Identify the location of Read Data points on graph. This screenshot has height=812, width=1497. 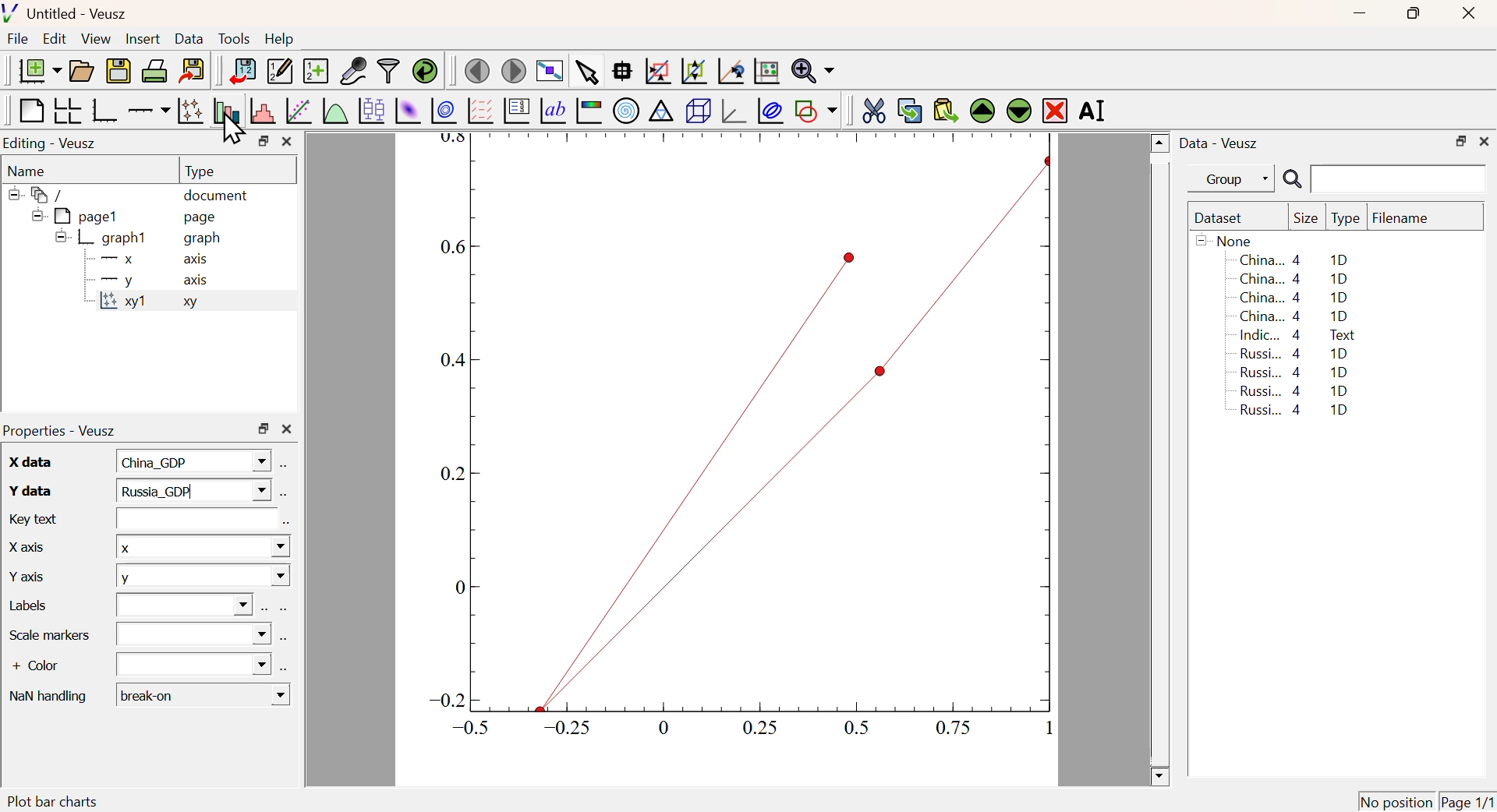
(622, 70).